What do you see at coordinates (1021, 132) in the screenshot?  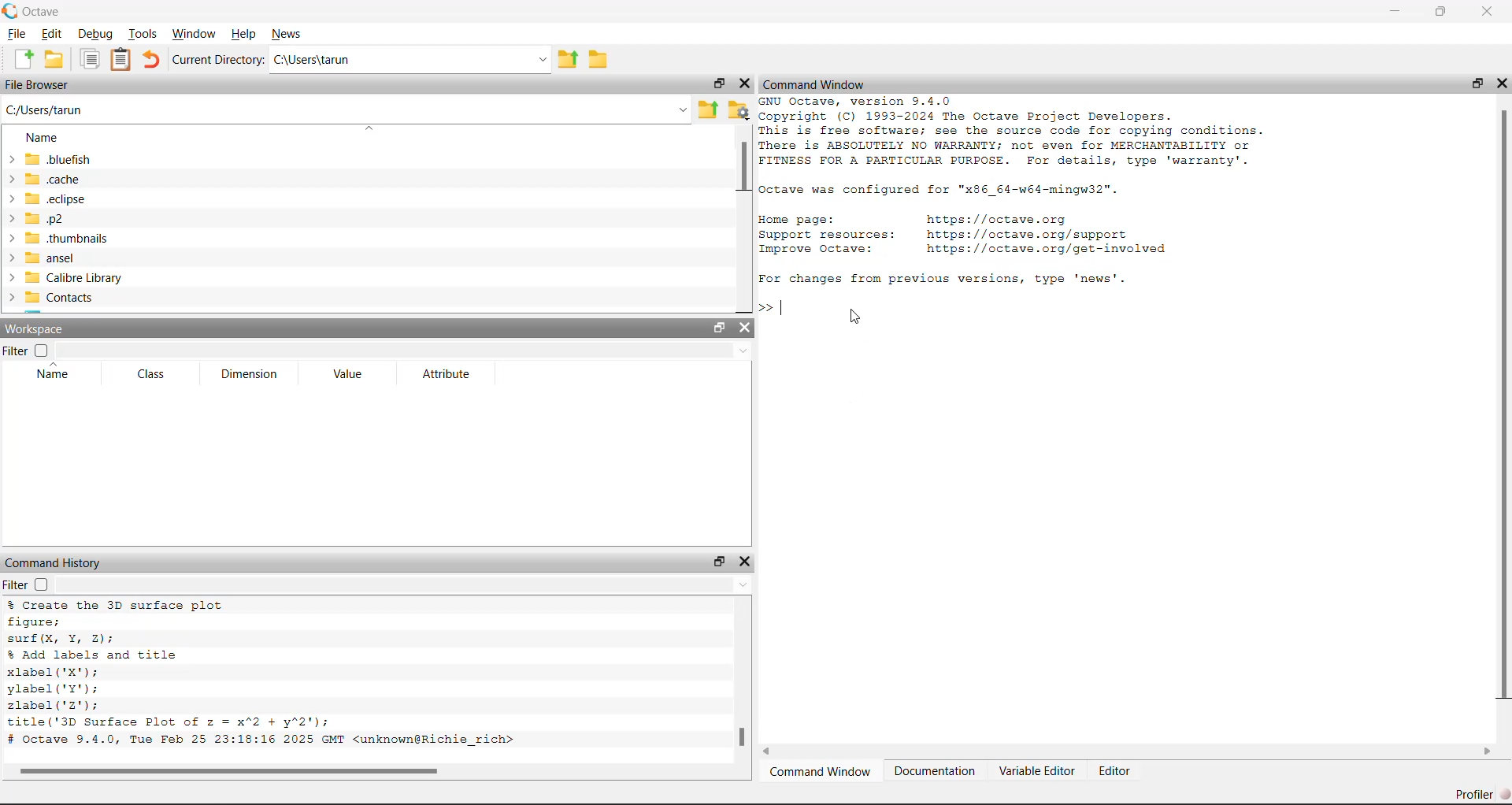 I see `GNU Octave, version 9.4.0

copyright (C) 1993-2024 The Octave Project Developers.

This is free software; see the source code for copying conditions.
There is ABSOLUTELY NO WARRANTY; not even for MERCHANTABILITY or
FITNESS FOR A PARTICULAR PURPOSE. For details, type 'warranty'.` at bounding box center [1021, 132].